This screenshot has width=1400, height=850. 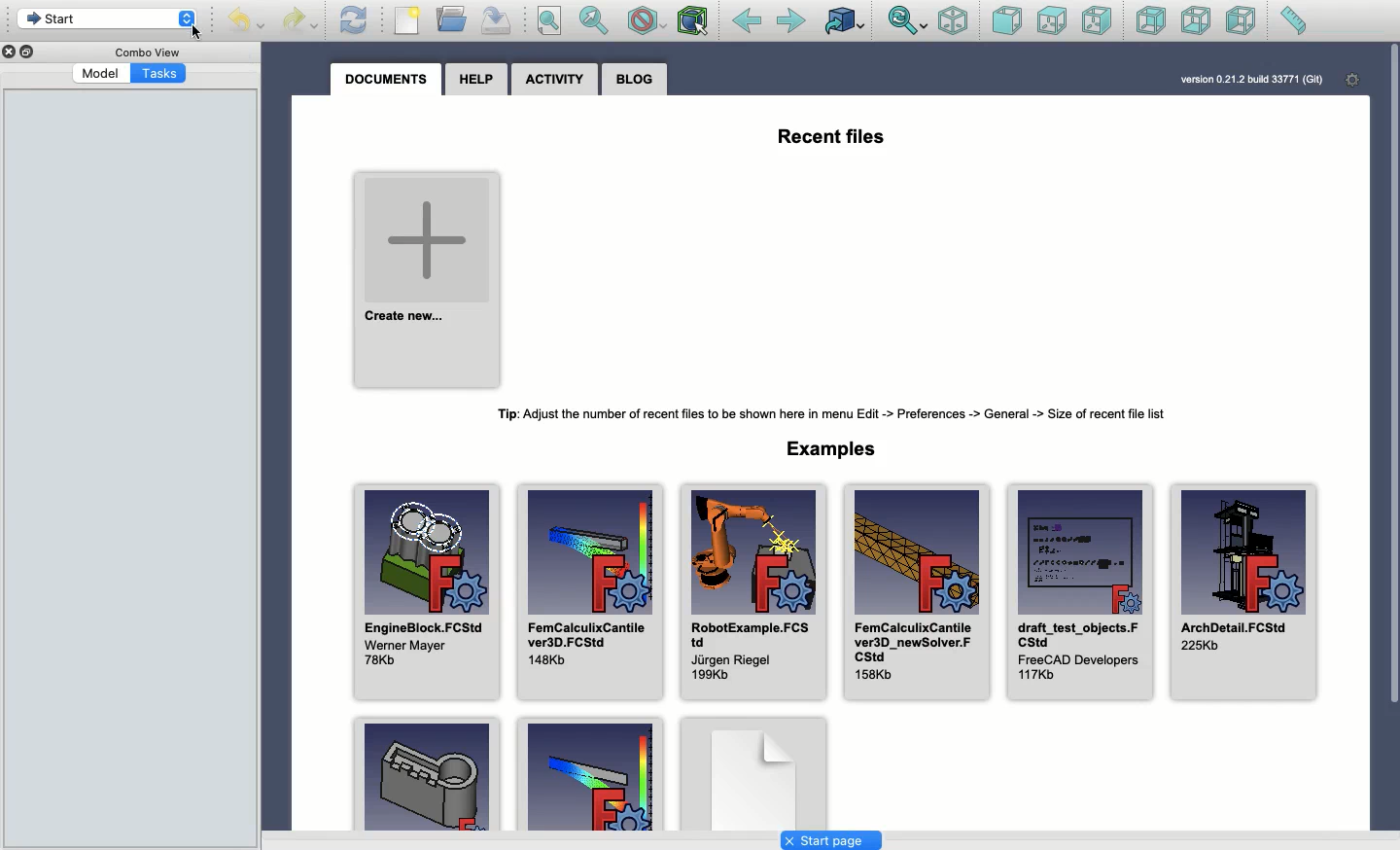 What do you see at coordinates (692, 21) in the screenshot?
I see `Bounding Box` at bounding box center [692, 21].